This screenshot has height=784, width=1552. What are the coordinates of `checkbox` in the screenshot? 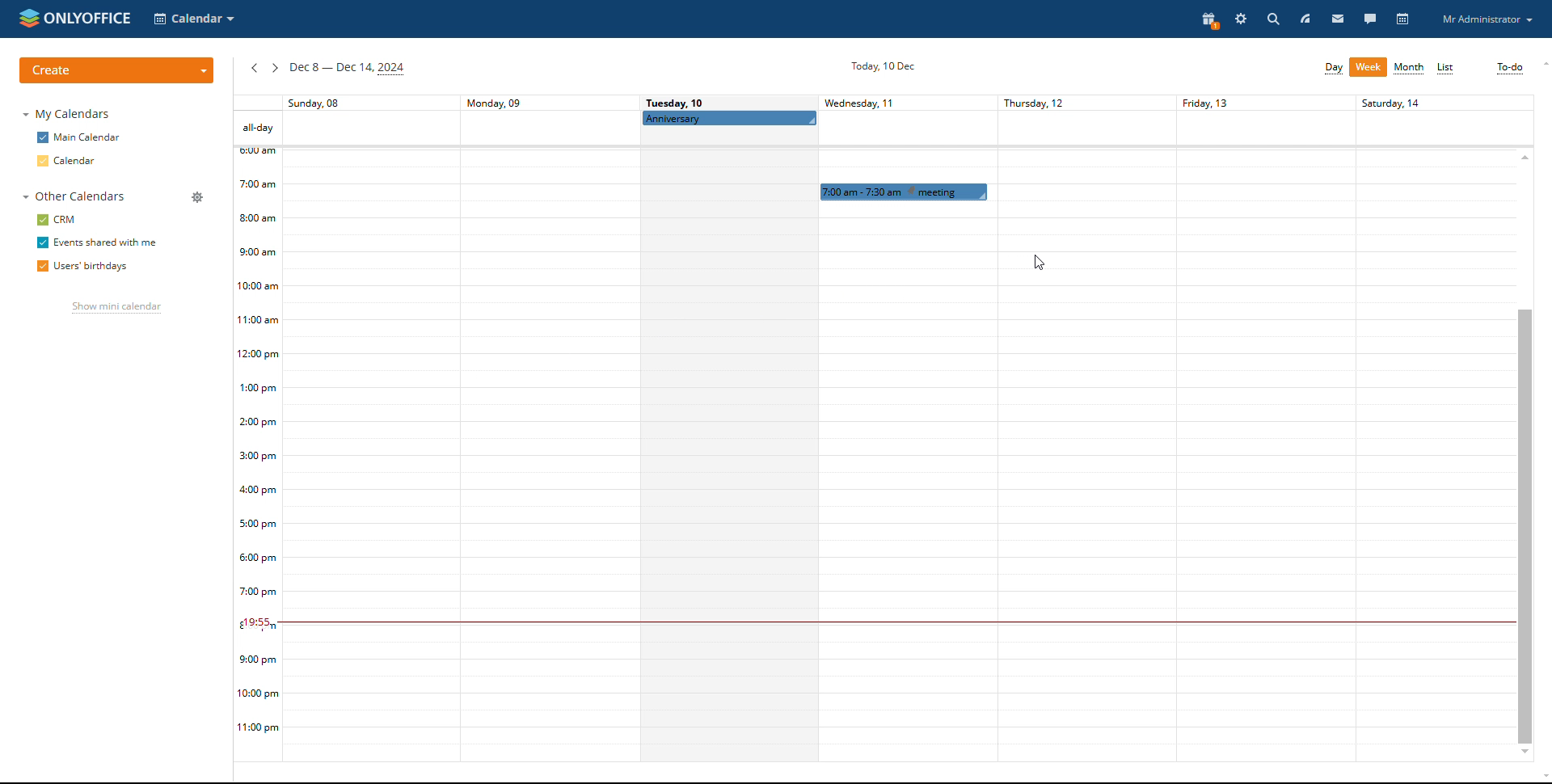 It's located at (42, 137).